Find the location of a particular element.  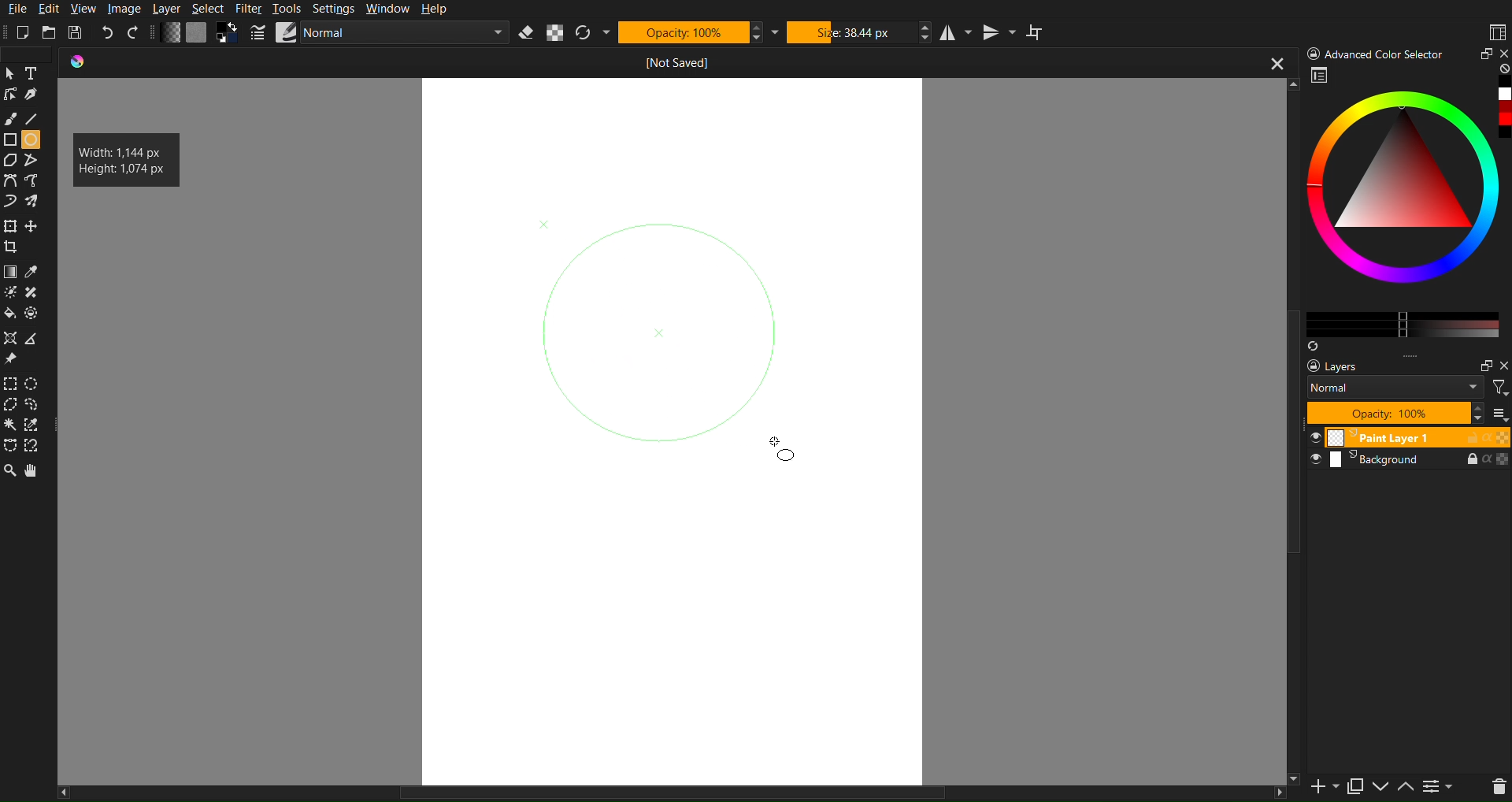

Background is located at coordinates (1408, 462).